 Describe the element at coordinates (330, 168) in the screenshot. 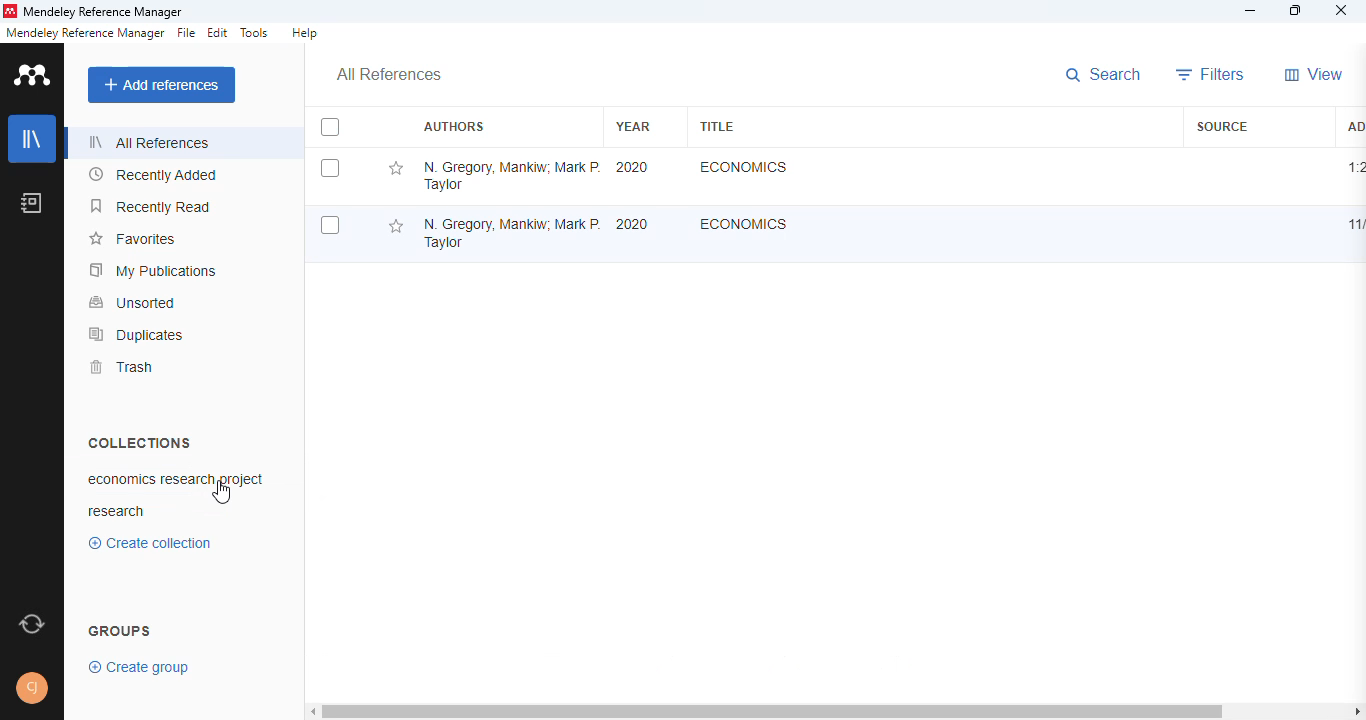

I see `select` at that location.